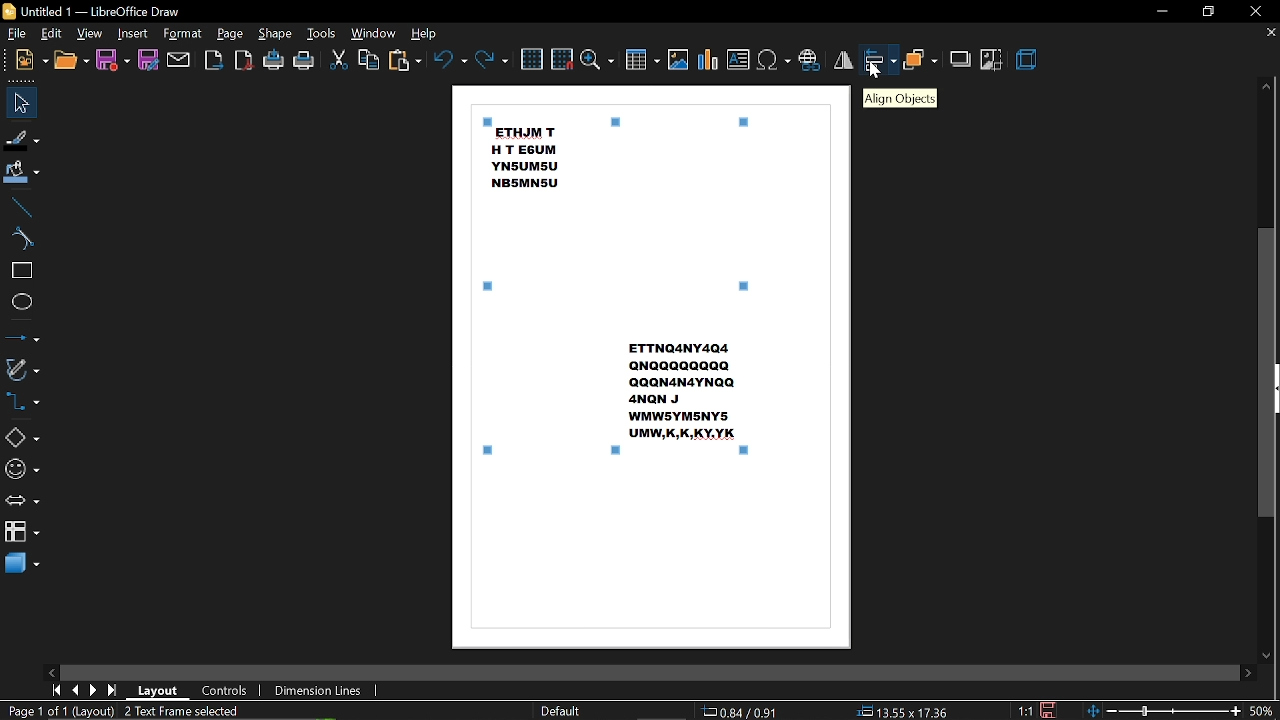 The width and height of the screenshot is (1280, 720). I want to click on arrows, so click(22, 502).